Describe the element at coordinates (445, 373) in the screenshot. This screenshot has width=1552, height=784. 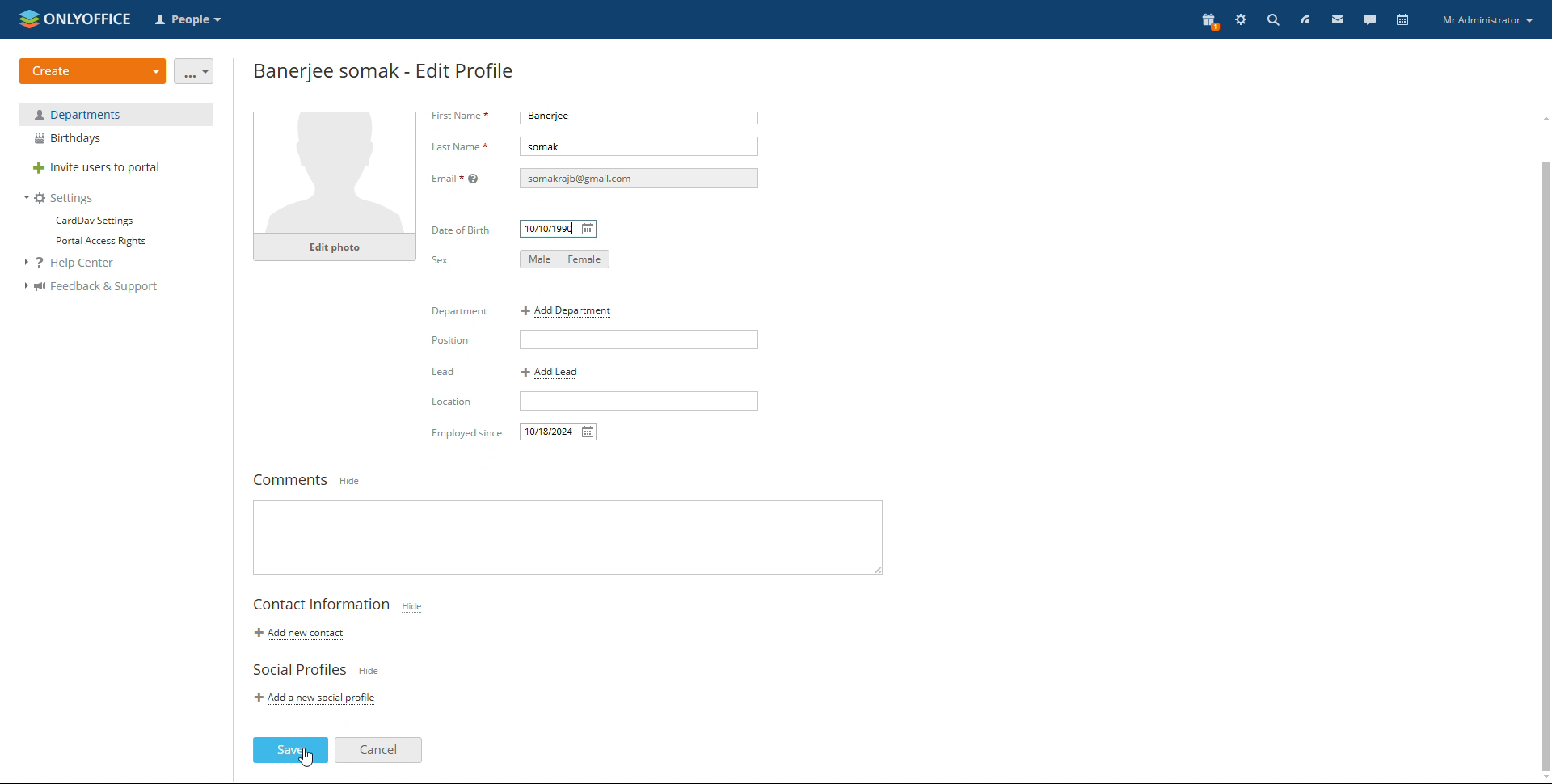
I see `Position` at that location.